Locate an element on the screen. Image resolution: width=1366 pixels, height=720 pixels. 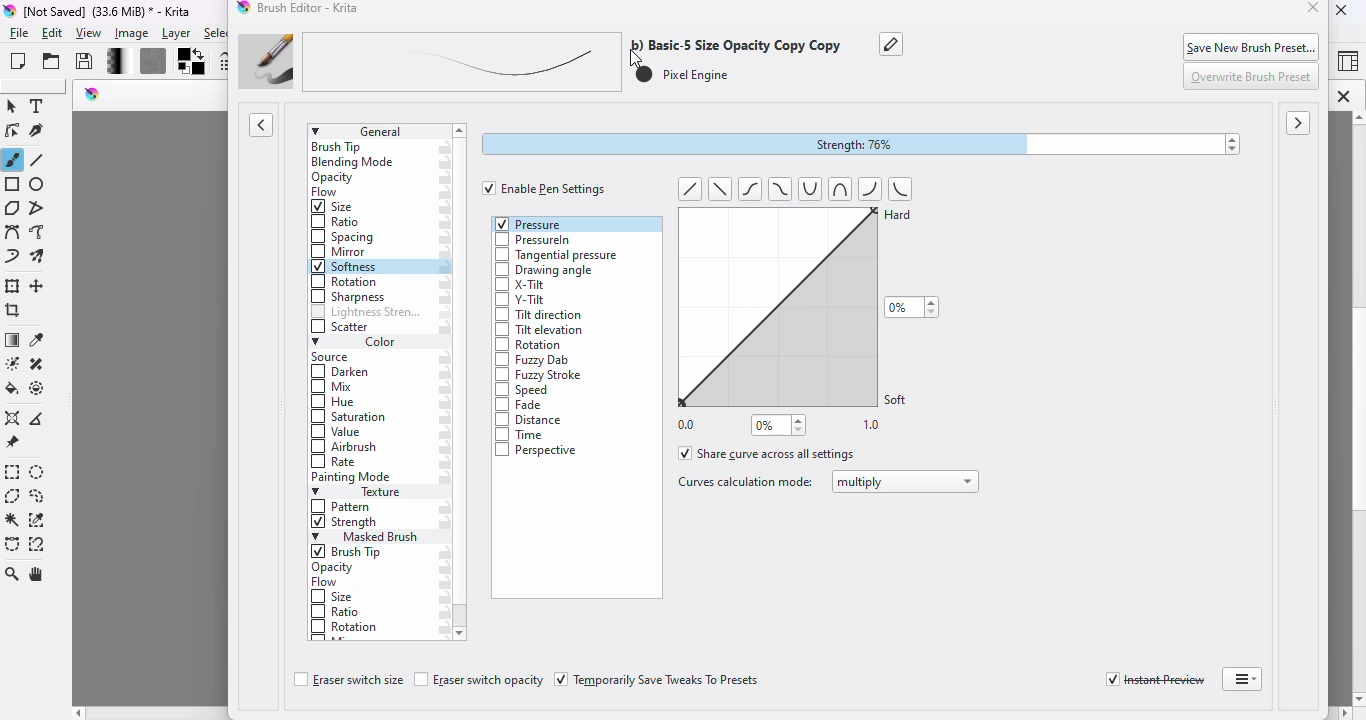
brush preset name is located at coordinates (534, 62).